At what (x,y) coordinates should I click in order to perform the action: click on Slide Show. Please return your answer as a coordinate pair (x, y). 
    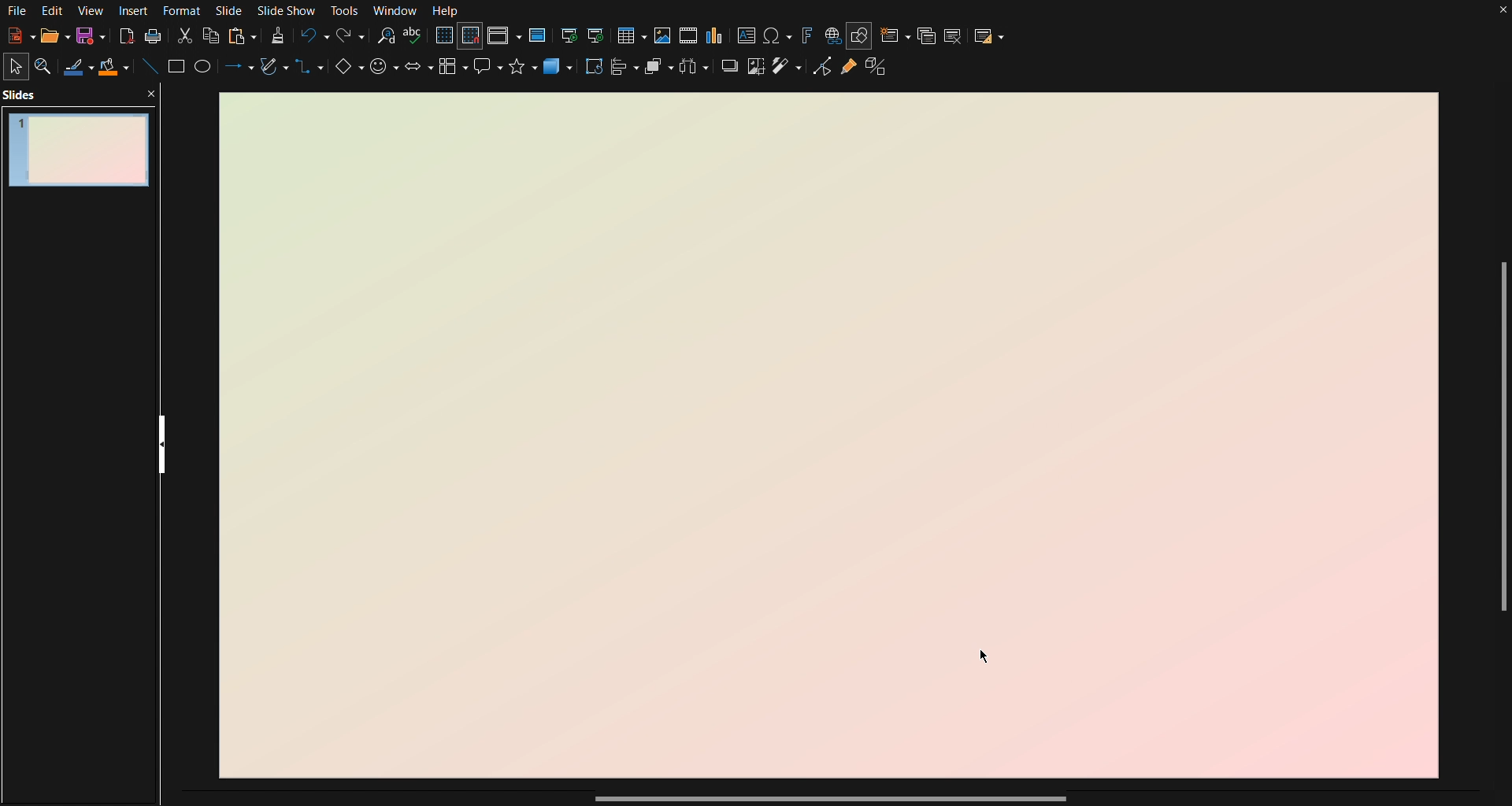
    Looking at the image, I should click on (290, 10).